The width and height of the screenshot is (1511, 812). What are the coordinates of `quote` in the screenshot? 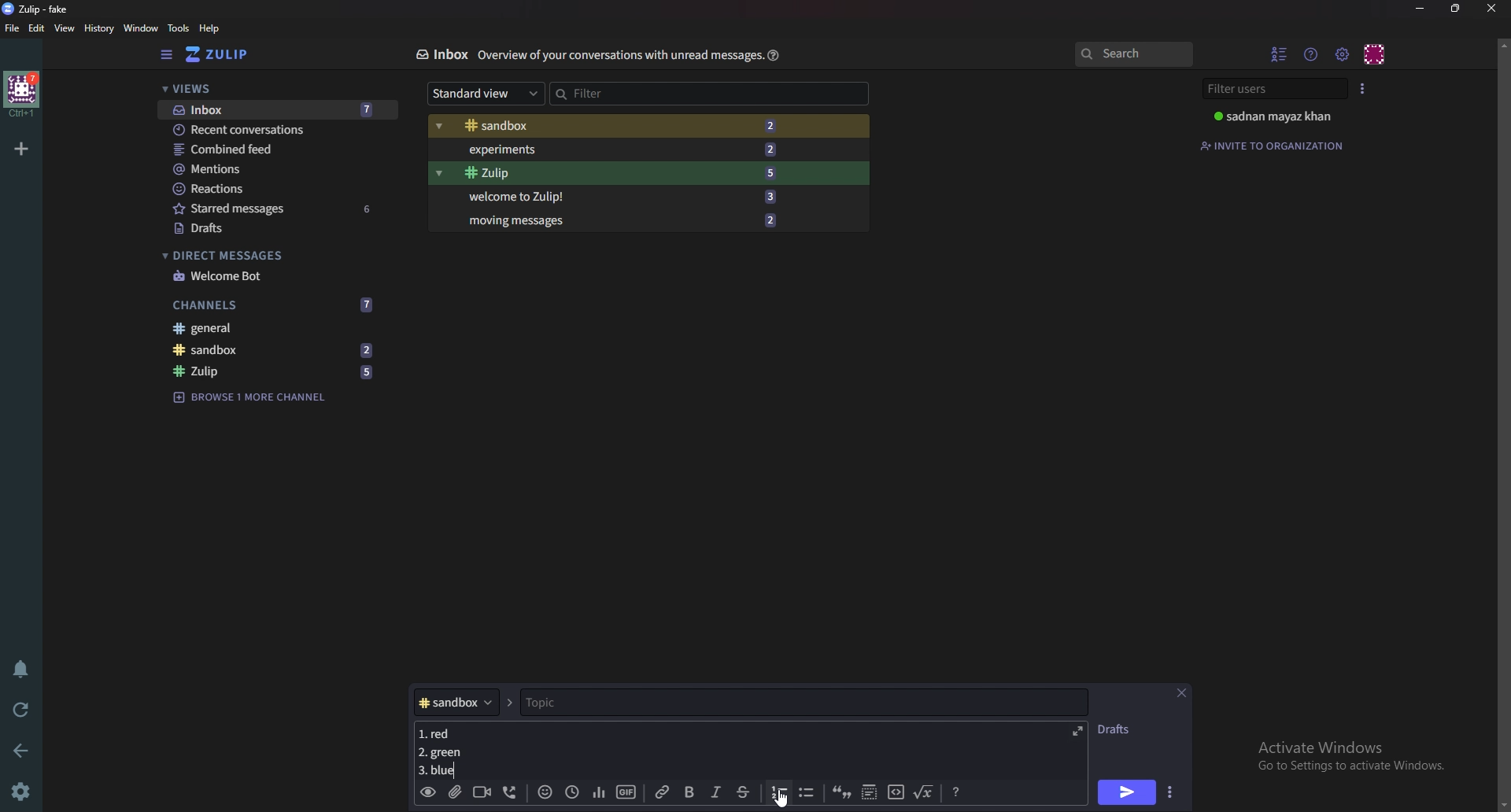 It's located at (843, 794).